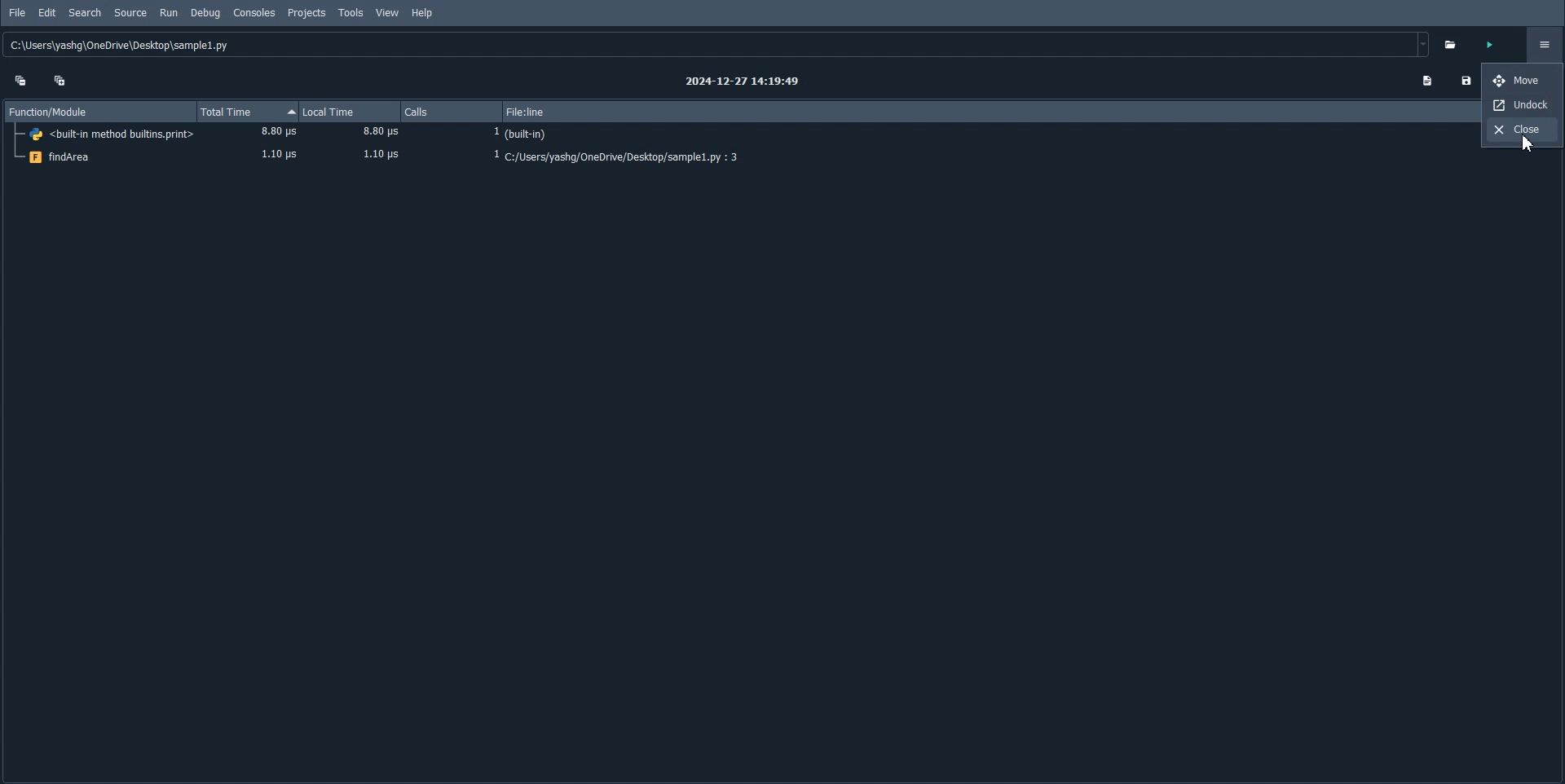 The image size is (1565, 784). I want to click on Expand one level down, so click(61, 79).